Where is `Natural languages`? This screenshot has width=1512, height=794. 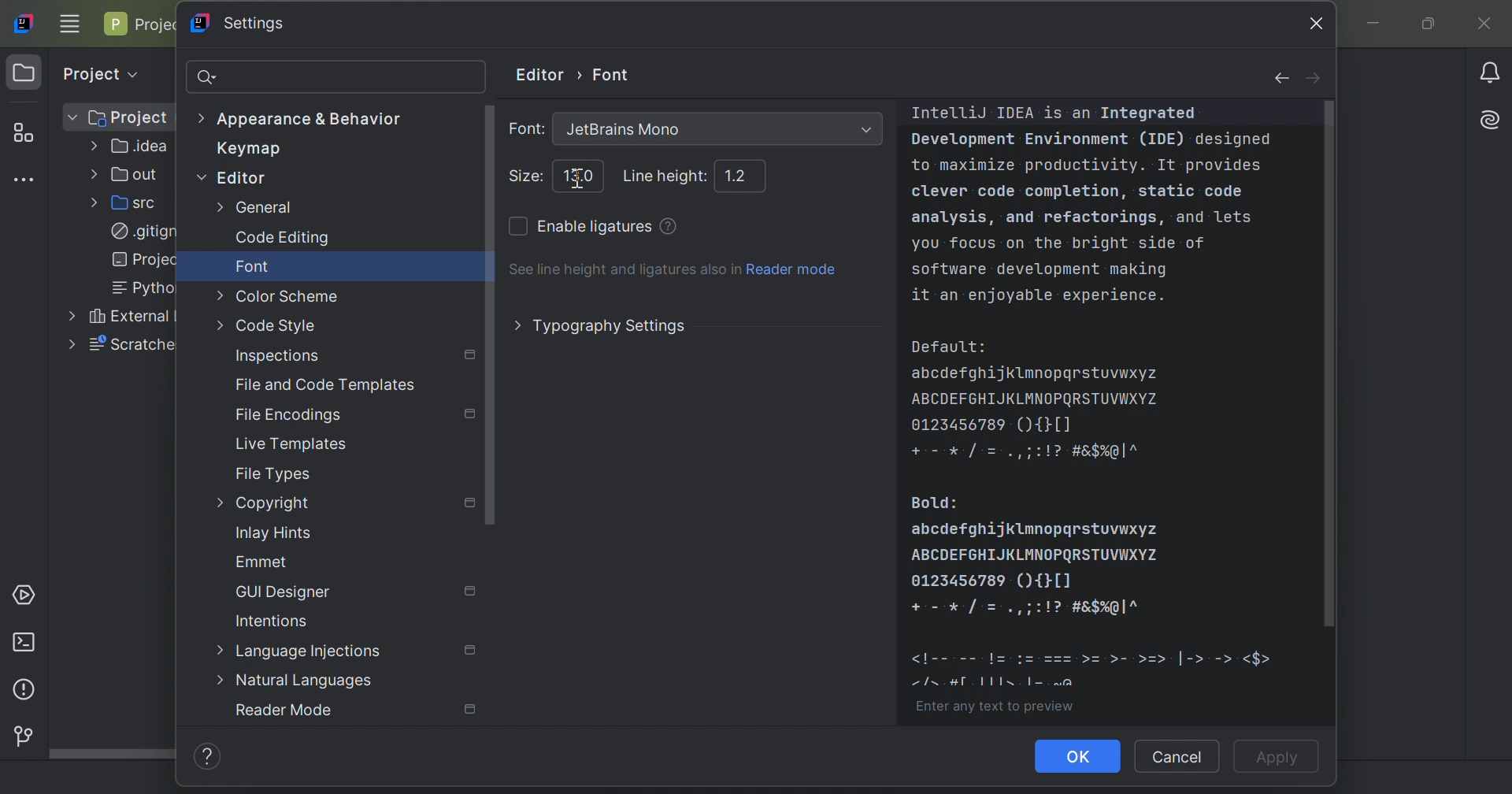
Natural languages is located at coordinates (295, 682).